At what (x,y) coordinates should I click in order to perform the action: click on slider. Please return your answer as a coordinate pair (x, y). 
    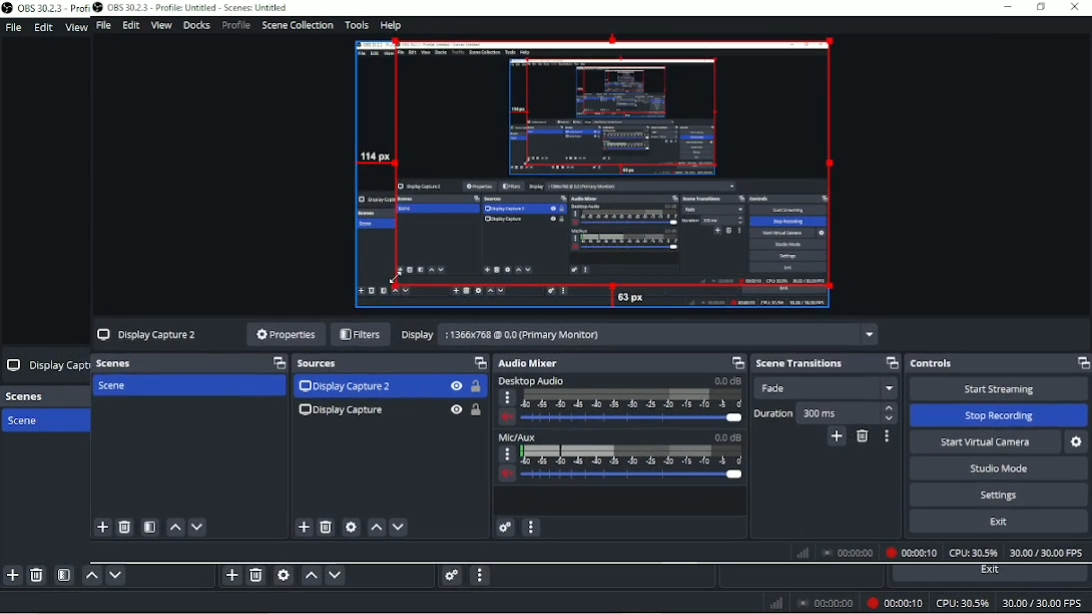
    Looking at the image, I should click on (634, 420).